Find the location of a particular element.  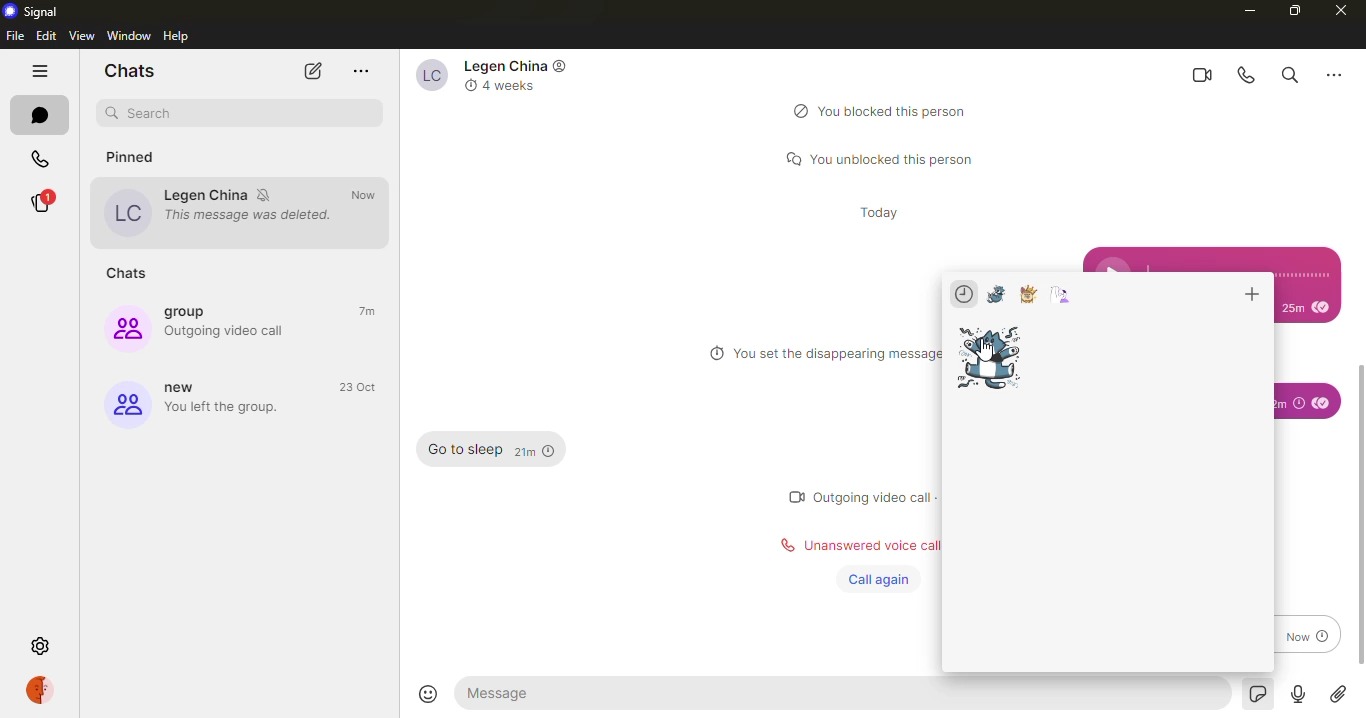

clock logo is located at coordinates (713, 353).